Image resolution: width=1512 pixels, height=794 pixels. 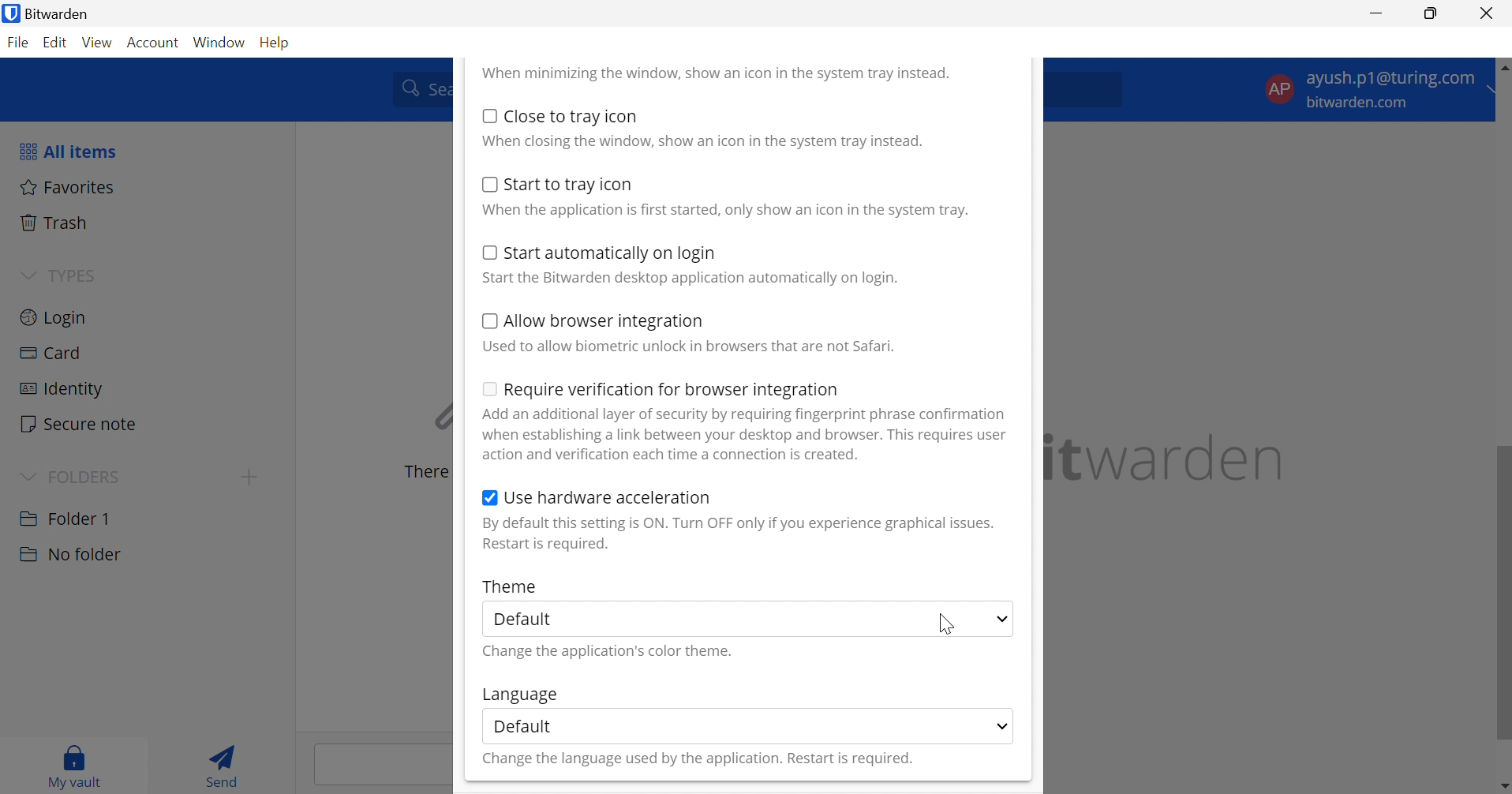 I want to click on My vault, so click(x=75, y=763).